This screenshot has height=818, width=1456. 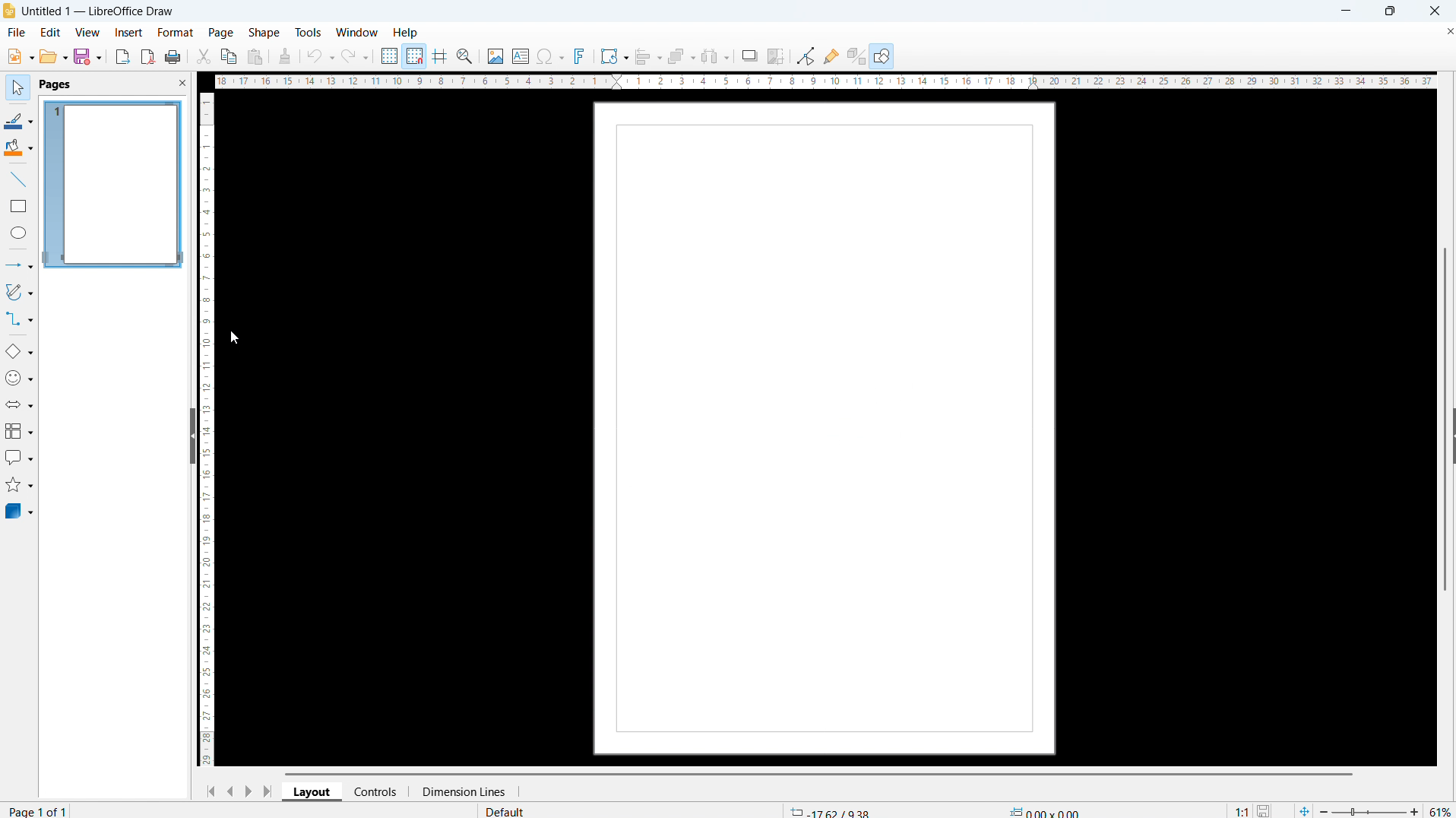 What do you see at coordinates (229, 791) in the screenshot?
I see `previous page` at bounding box center [229, 791].